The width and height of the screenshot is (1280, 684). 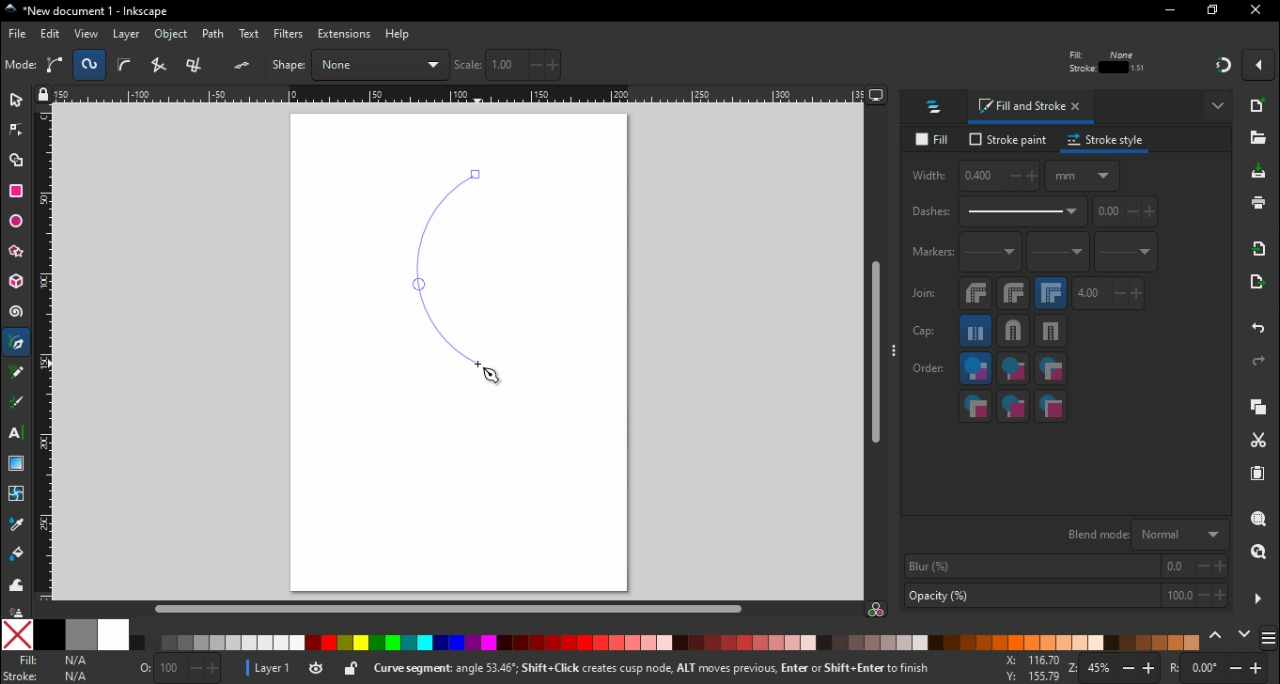 I want to click on mode, so click(x=21, y=66).